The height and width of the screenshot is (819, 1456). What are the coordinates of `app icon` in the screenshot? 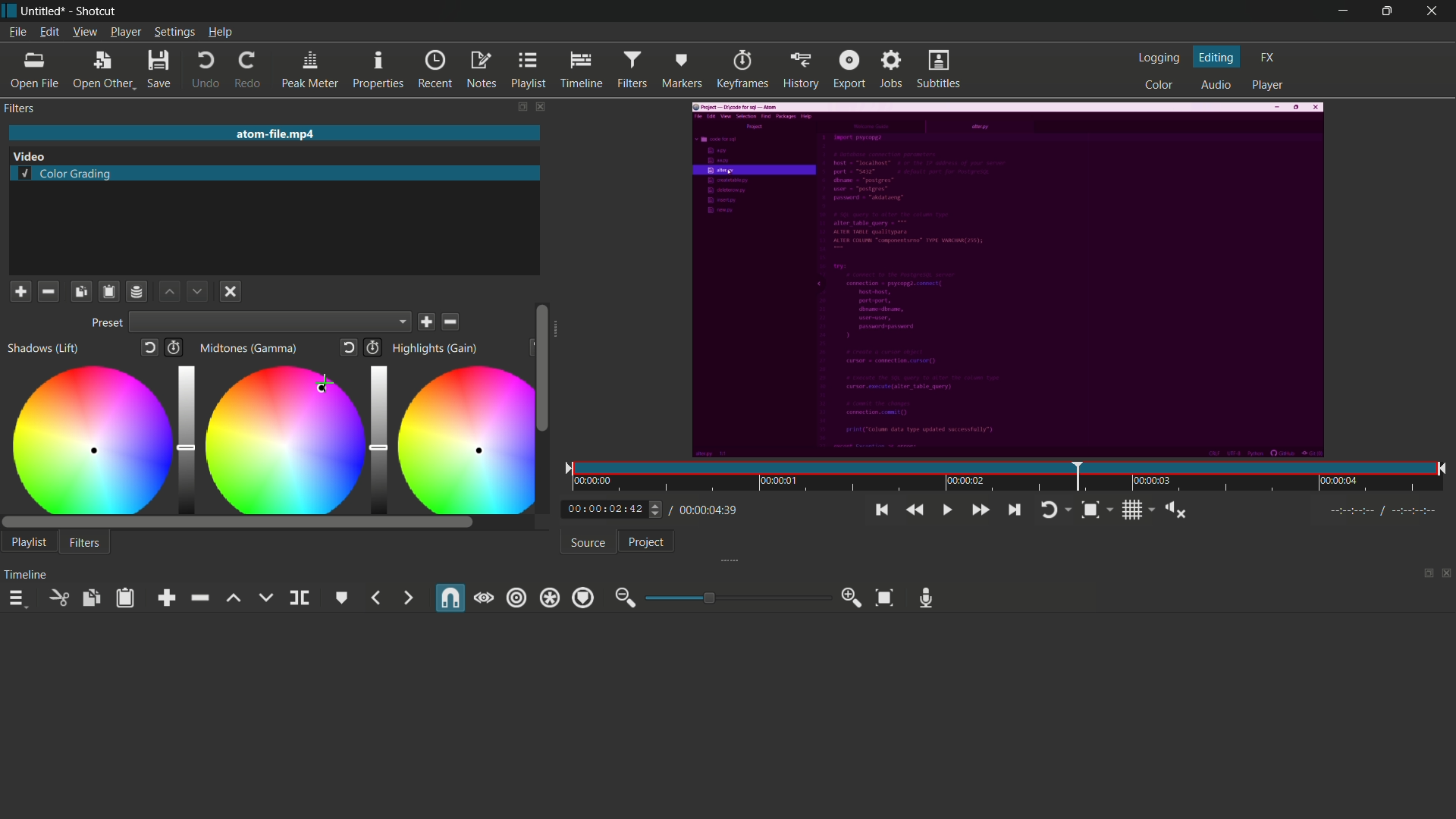 It's located at (9, 11).